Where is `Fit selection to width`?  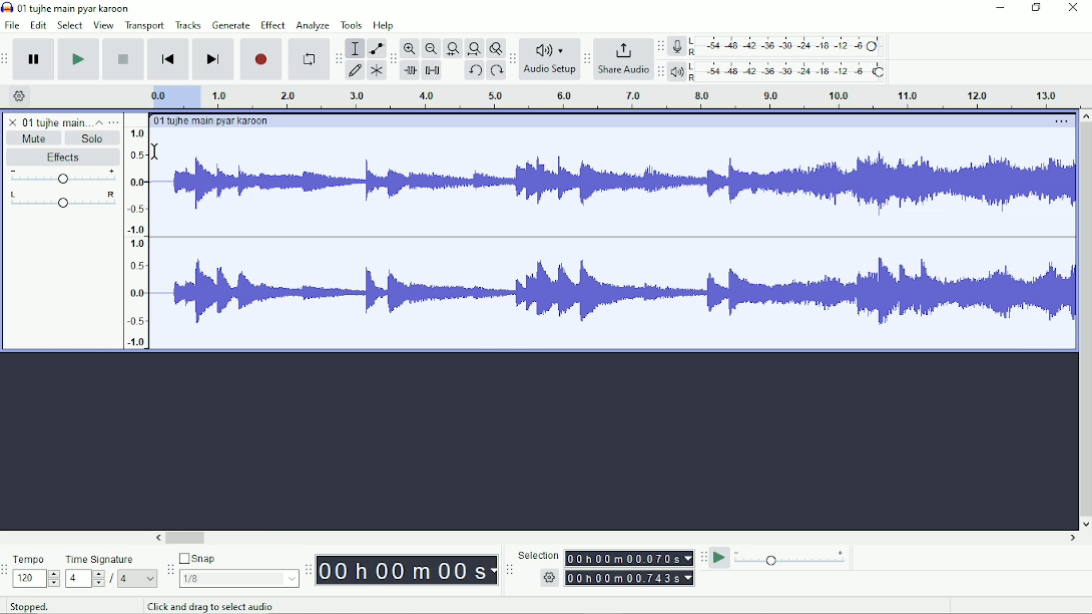 Fit selection to width is located at coordinates (453, 50).